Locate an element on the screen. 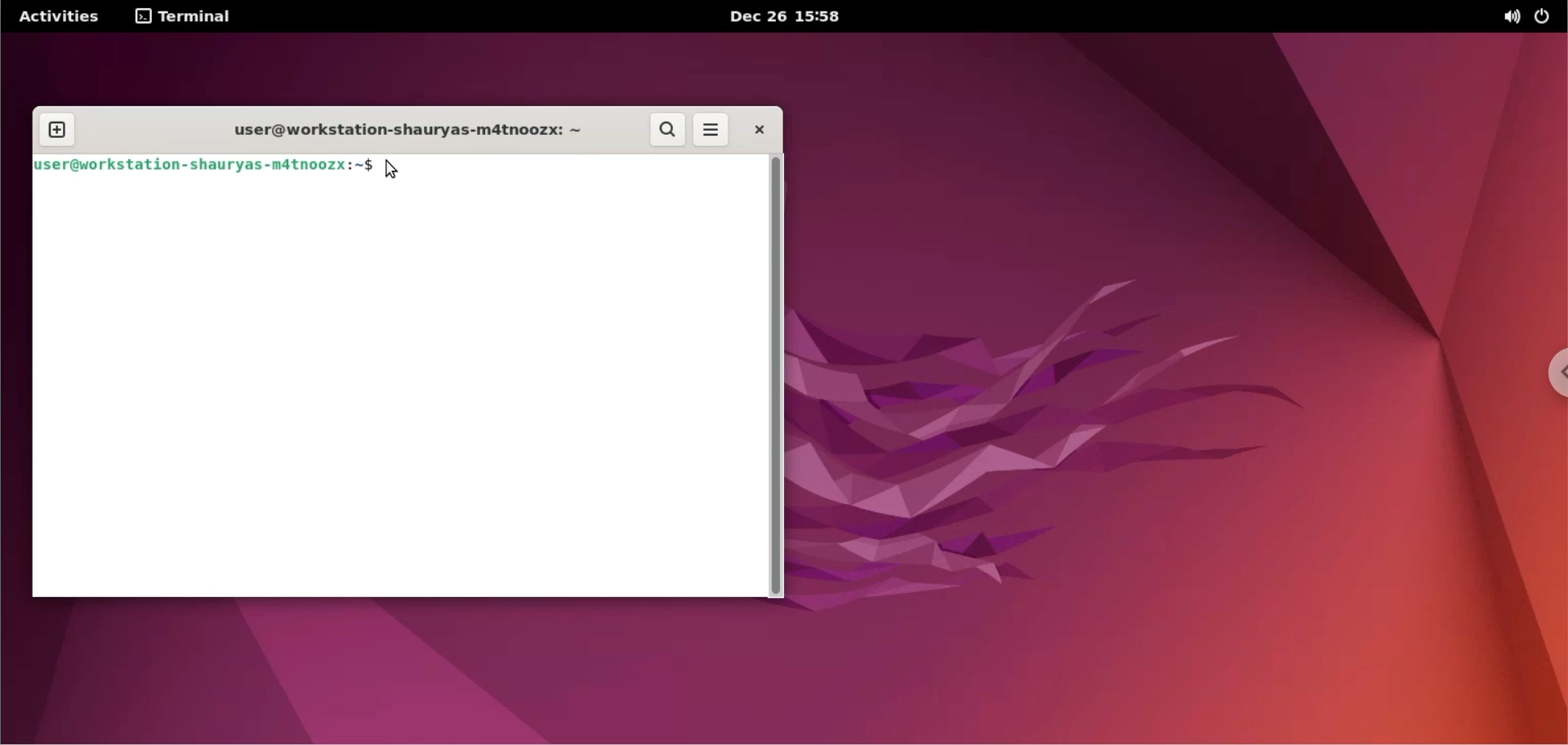  cursor is located at coordinates (393, 169).